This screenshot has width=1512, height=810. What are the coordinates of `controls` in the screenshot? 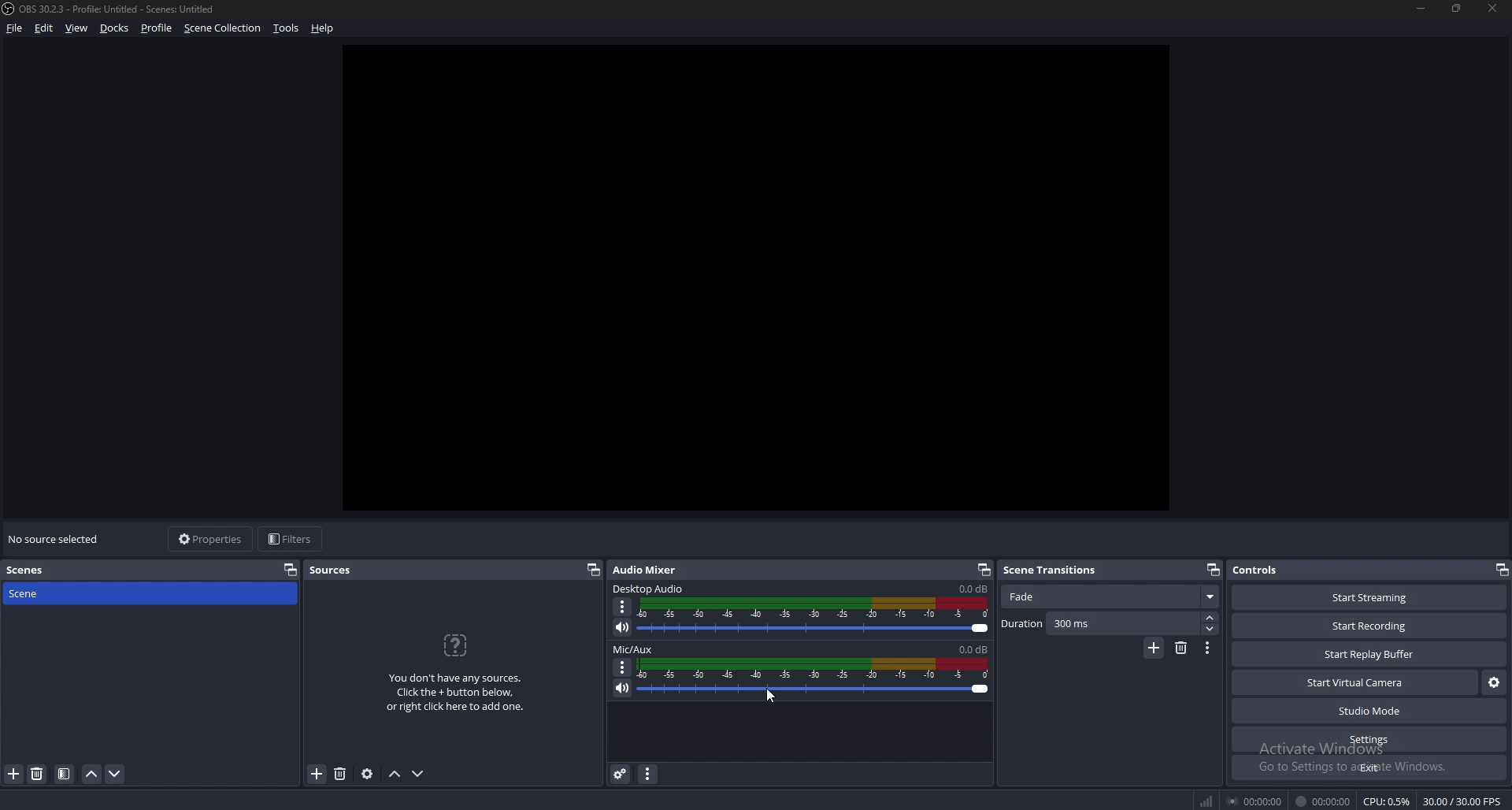 It's located at (1265, 570).